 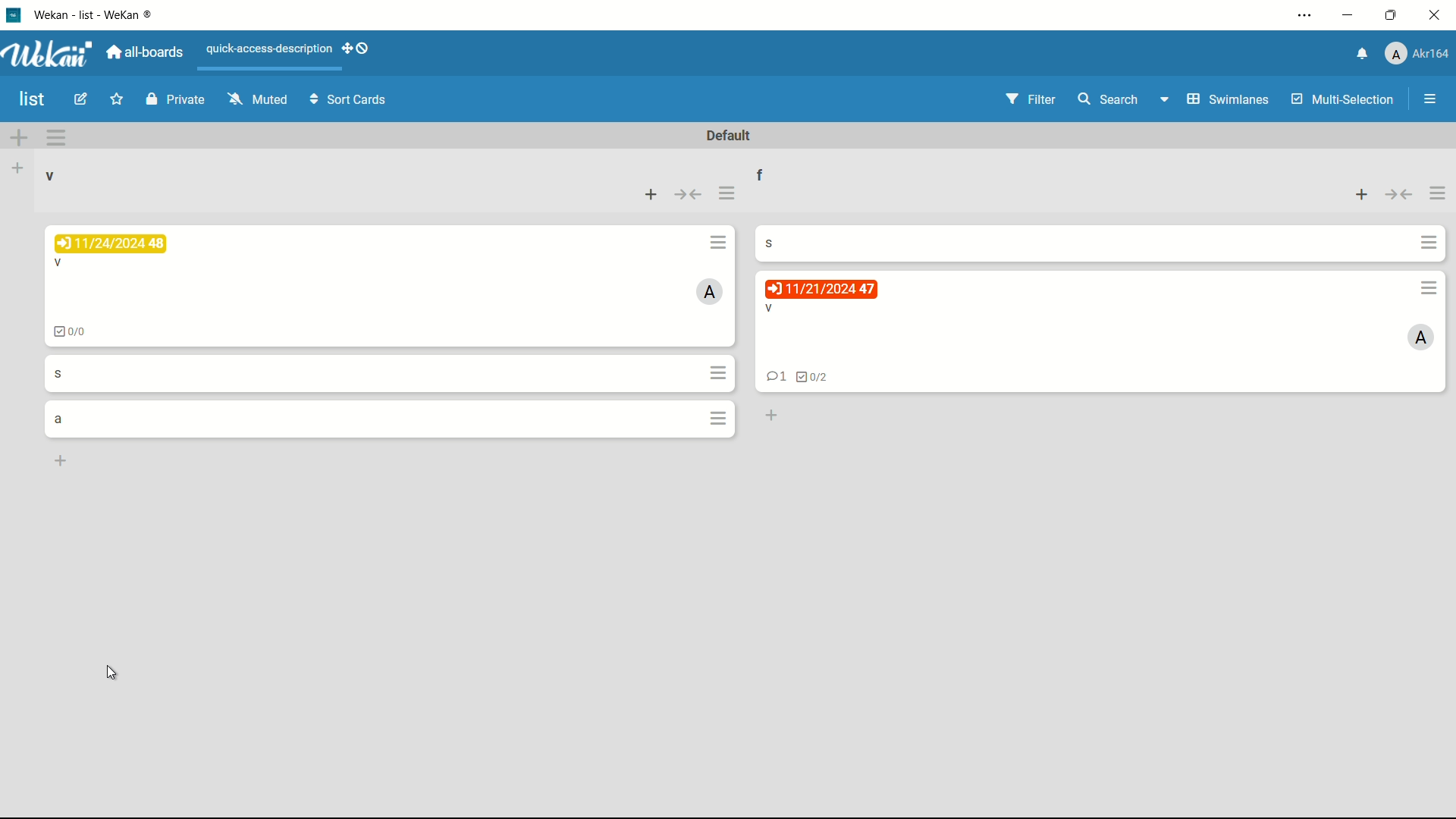 I want to click on card actions, so click(x=718, y=418).